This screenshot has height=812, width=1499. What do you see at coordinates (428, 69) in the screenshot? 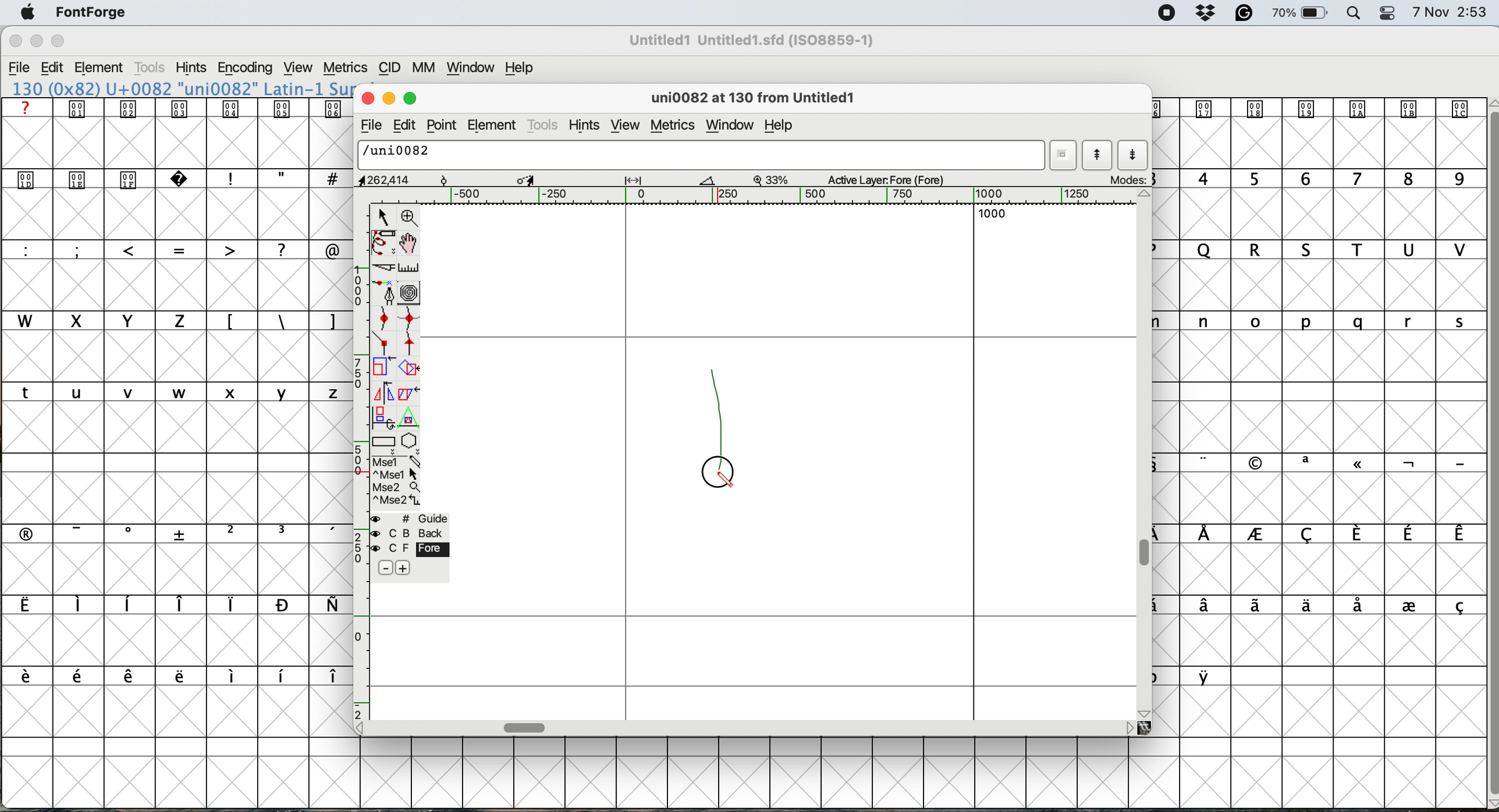
I see `mm` at bounding box center [428, 69].